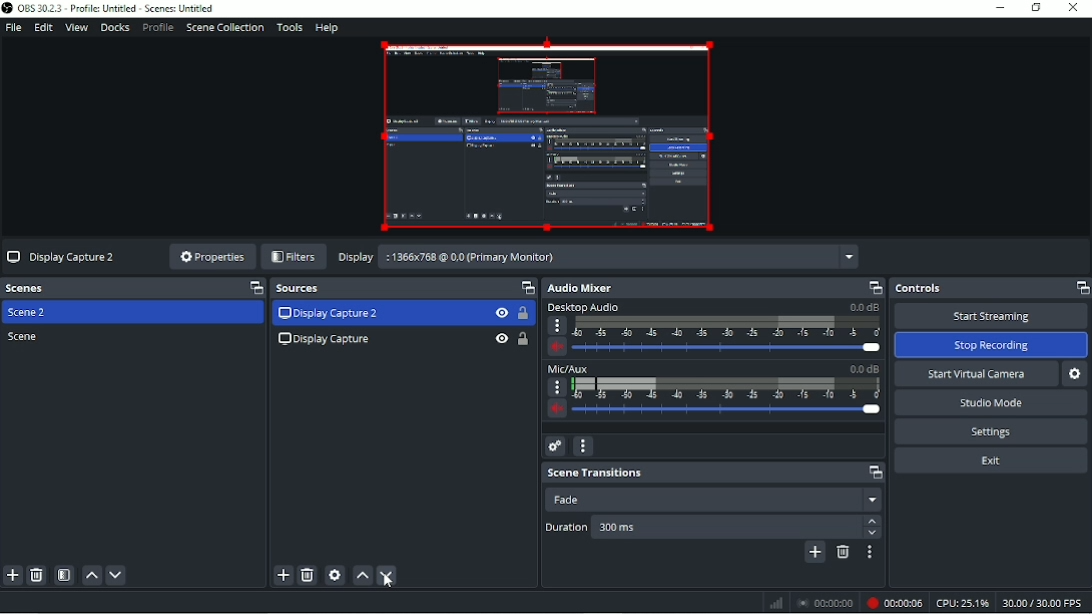  Describe the element at coordinates (893, 603) in the screenshot. I see `Recording (00:00:06)` at that location.